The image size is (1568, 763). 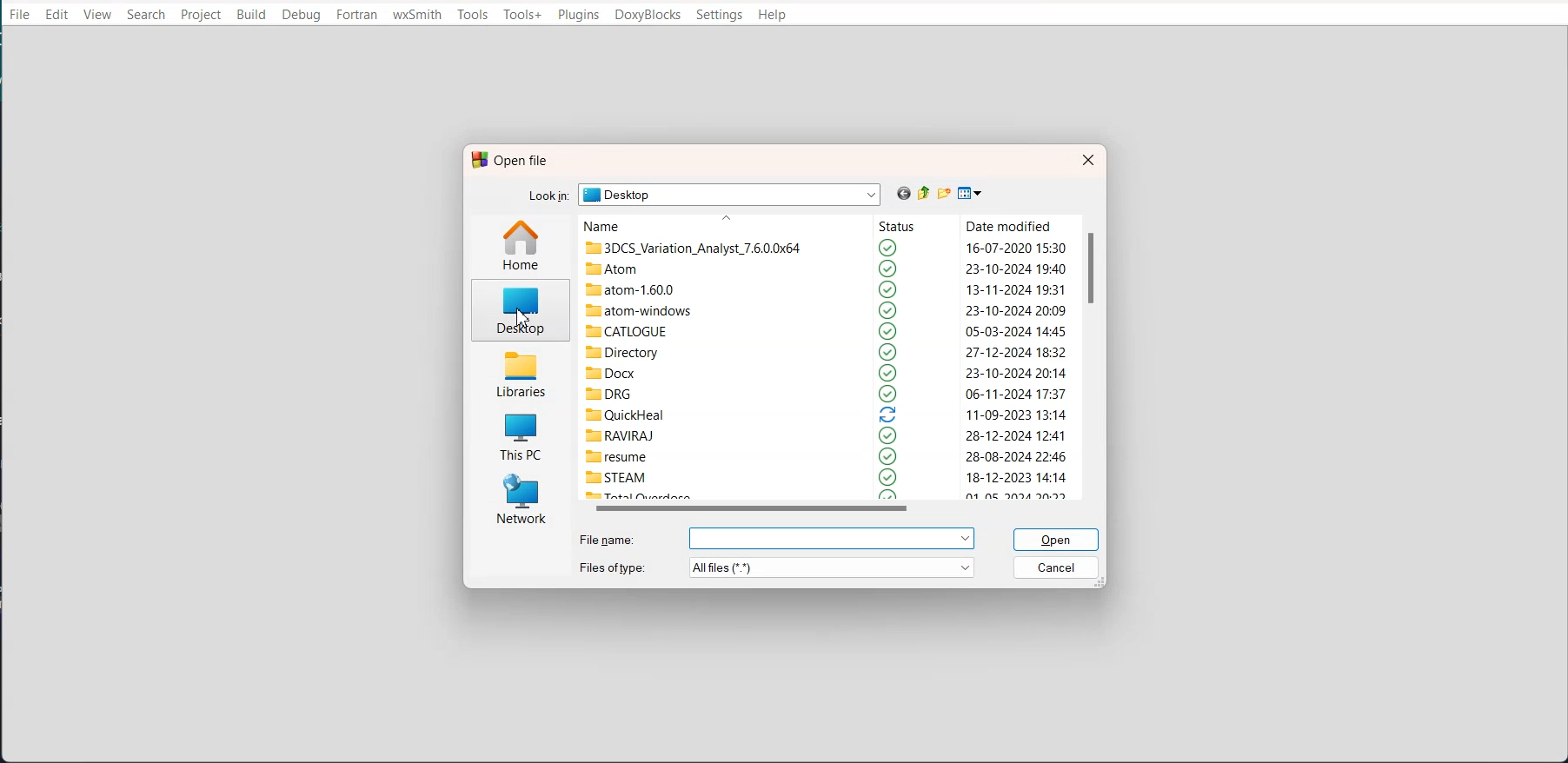 What do you see at coordinates (1059, 540) in the screenshot?
I see `Open` at bounding box center [1059, 540].